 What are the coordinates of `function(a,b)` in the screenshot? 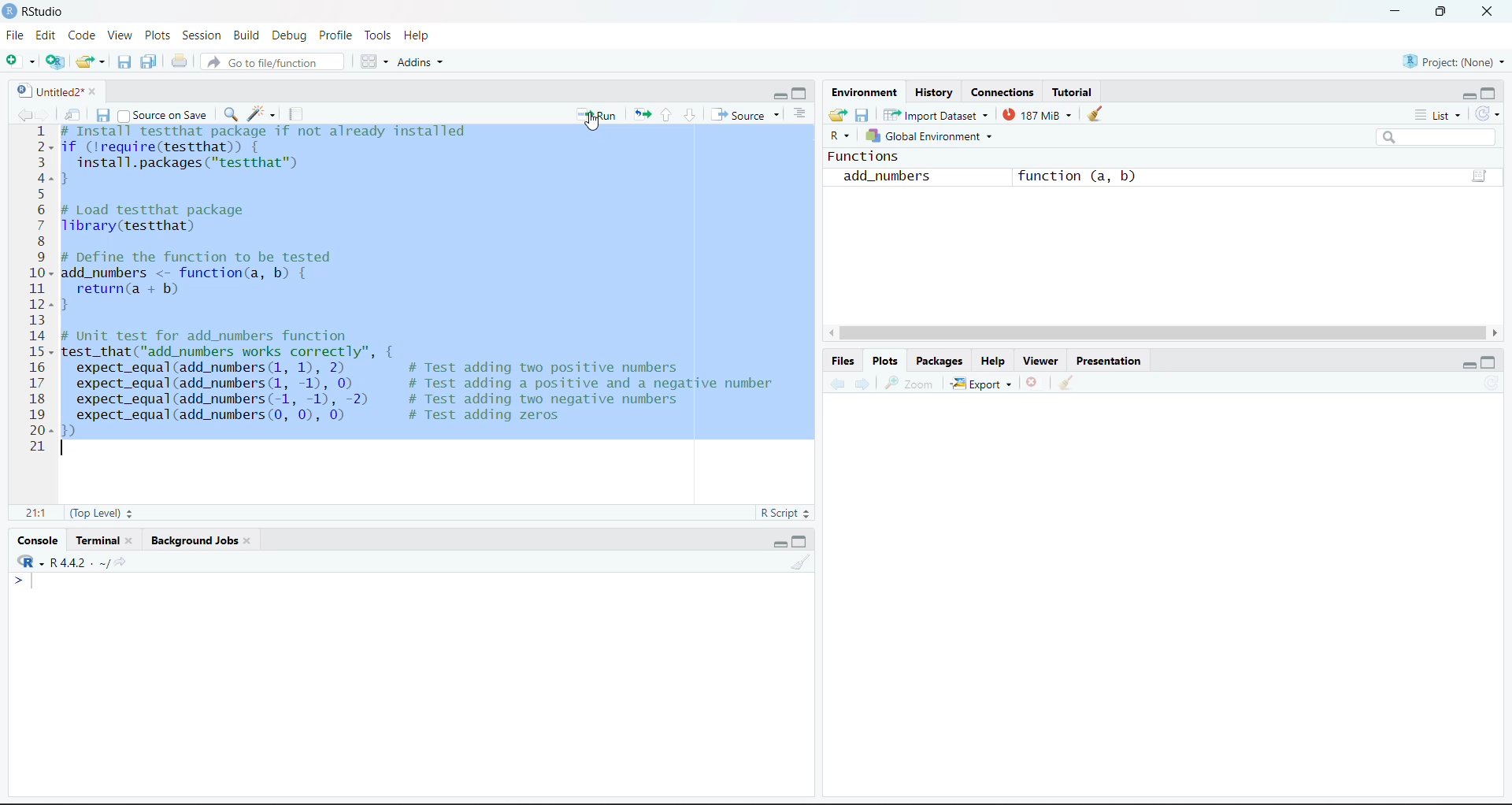 It's located at (1480, 176).